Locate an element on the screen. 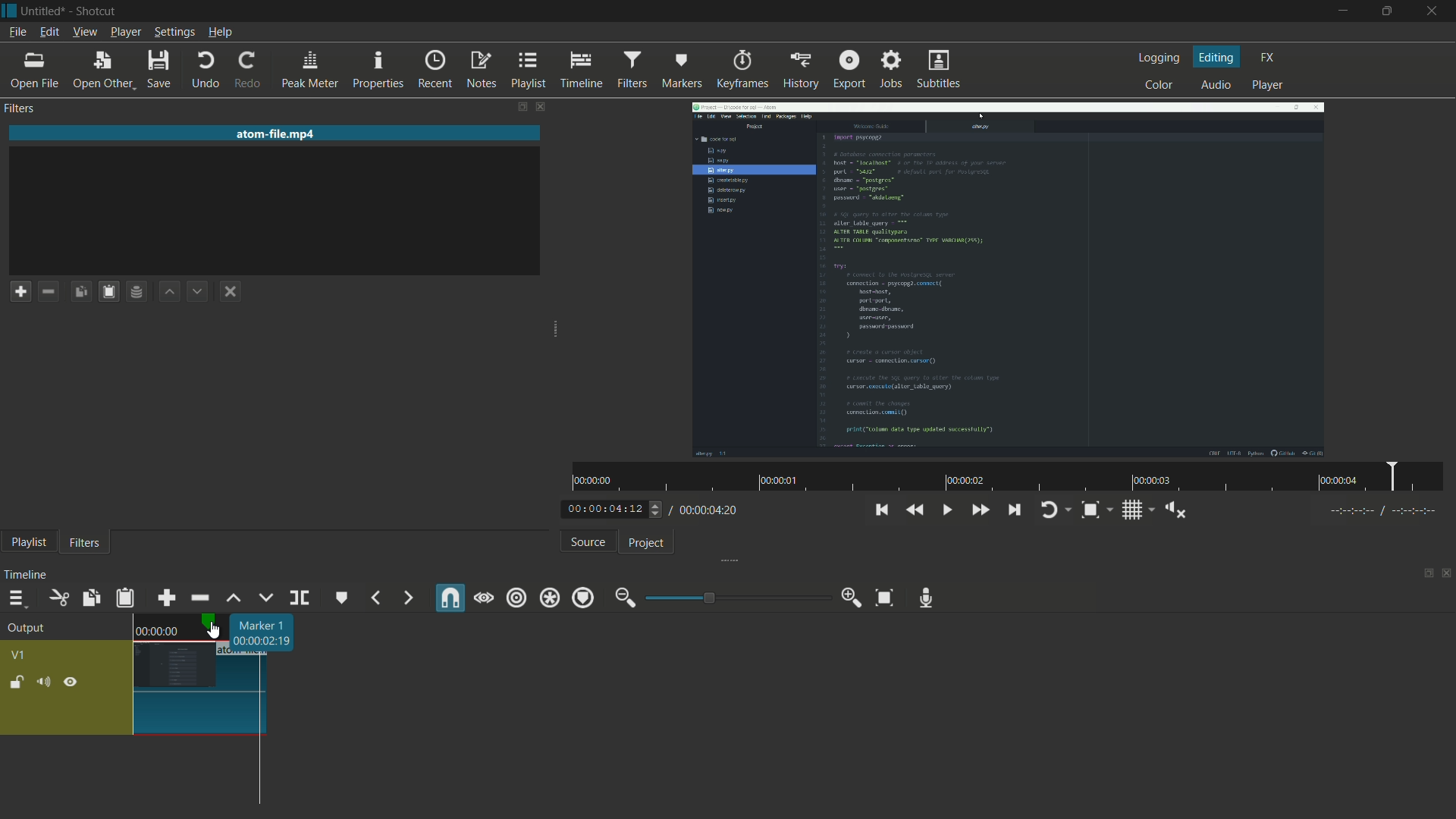  close app is located at coordinates (1436, 11).